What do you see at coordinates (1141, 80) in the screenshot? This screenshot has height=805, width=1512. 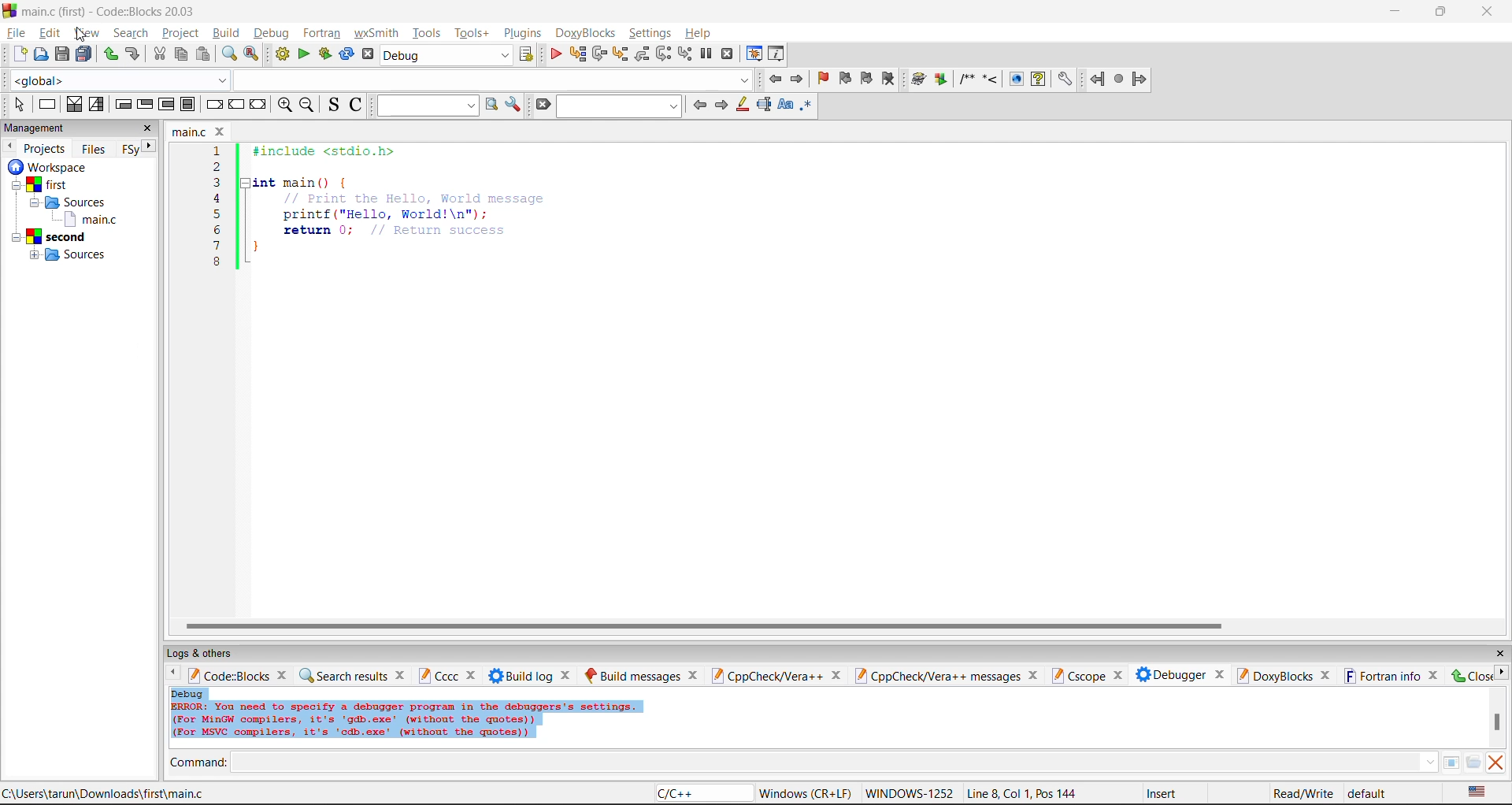 I see `jump forward` at bounding box center [1141, 80].